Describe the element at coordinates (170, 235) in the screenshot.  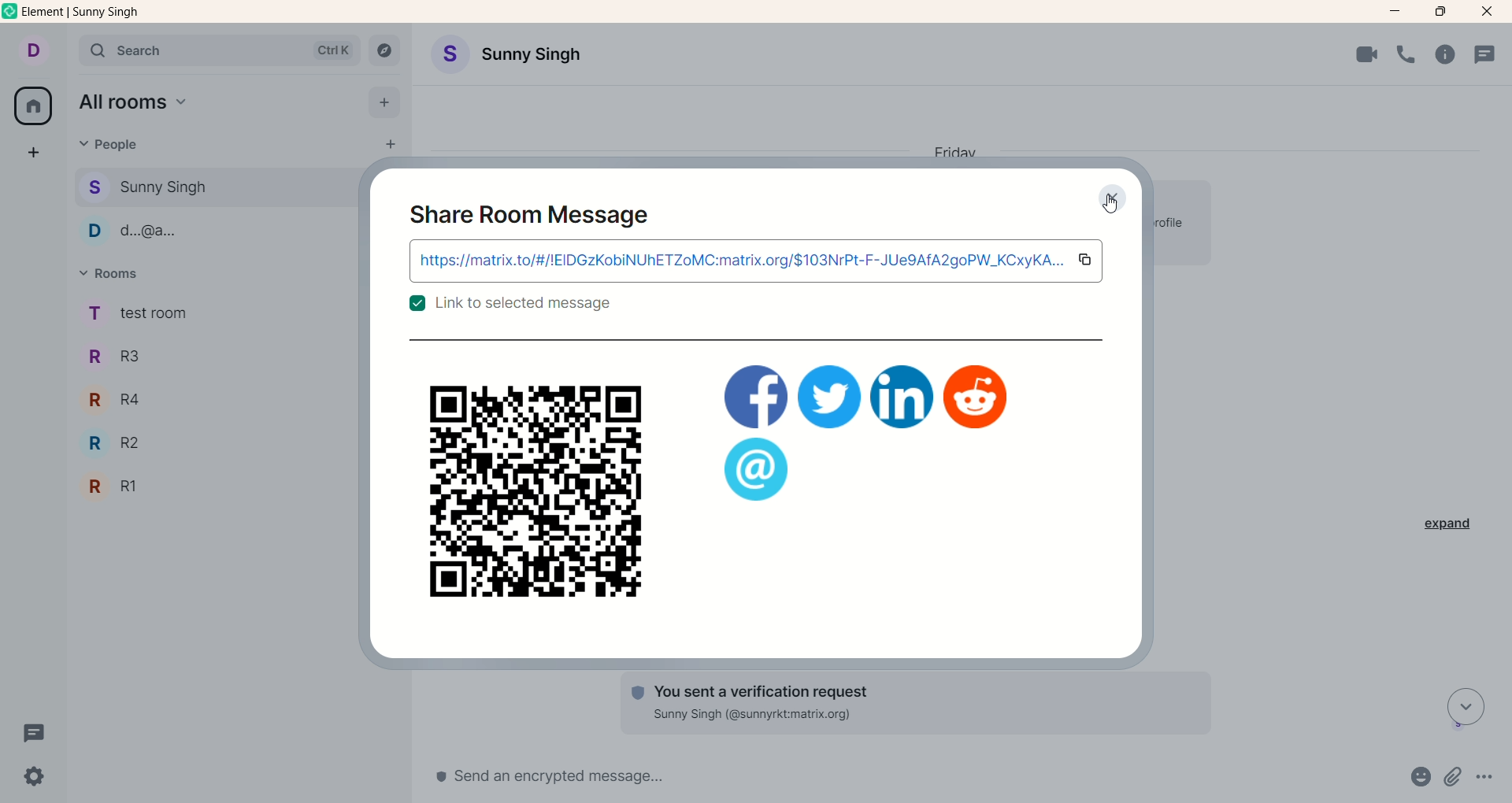
I see `people` at that location.